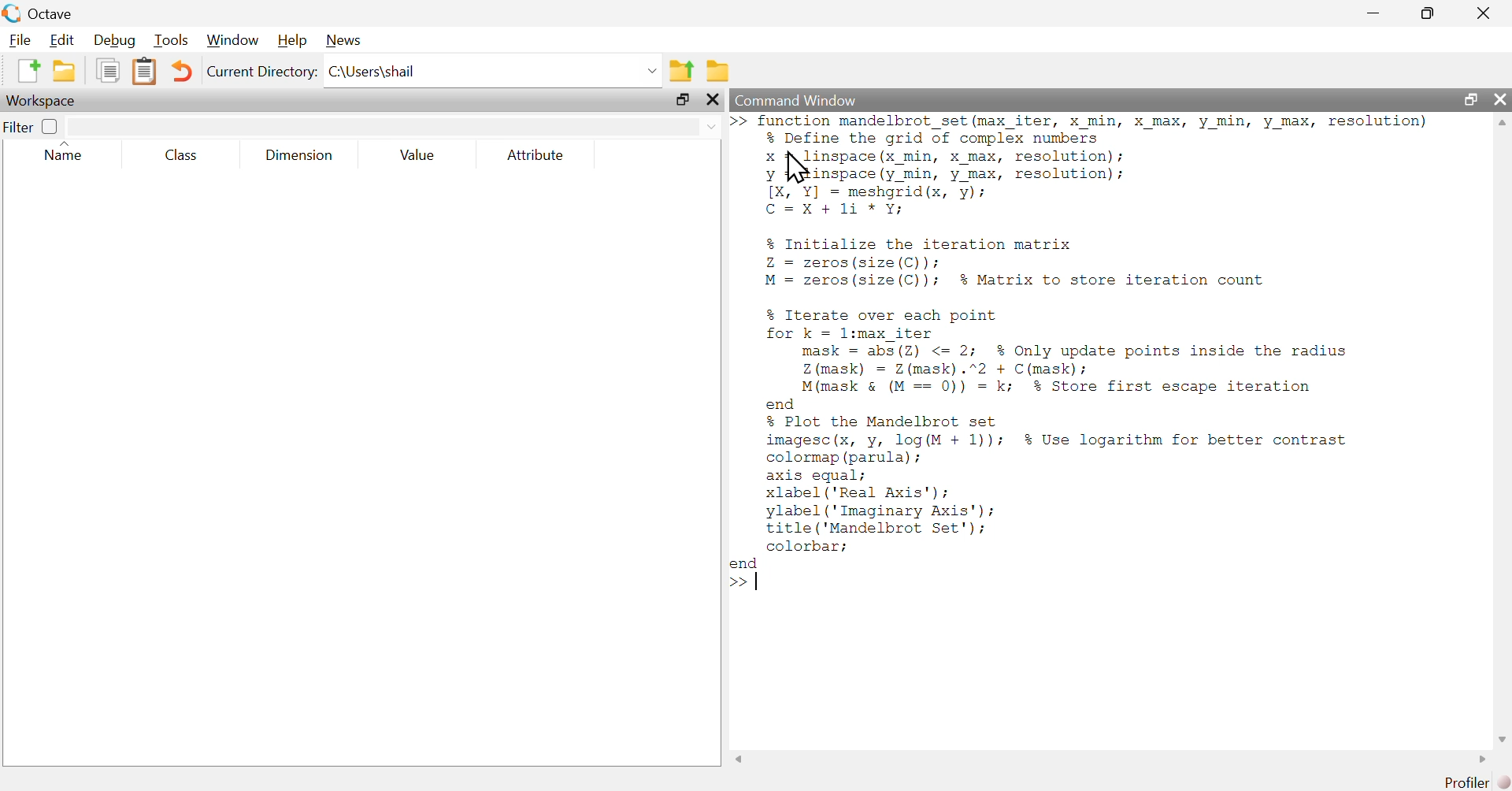  I want to click on Command Window, so click(1060, 100).